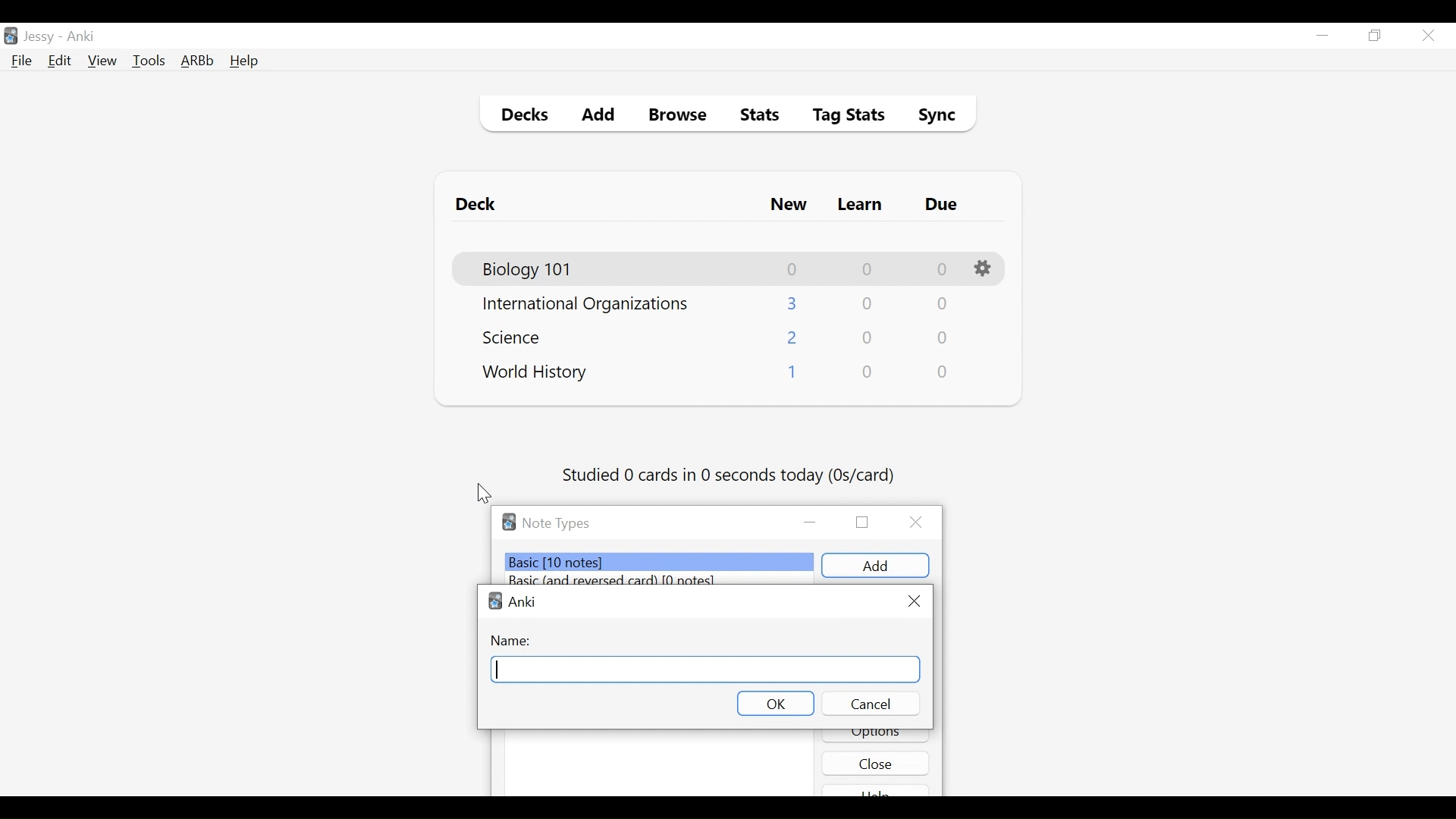 The width and height of the screenshot is (1456, 819). What do you see at coordinates (509, 522) in the screenshot?
I see `Software logo` at bounding box center [509, 522].